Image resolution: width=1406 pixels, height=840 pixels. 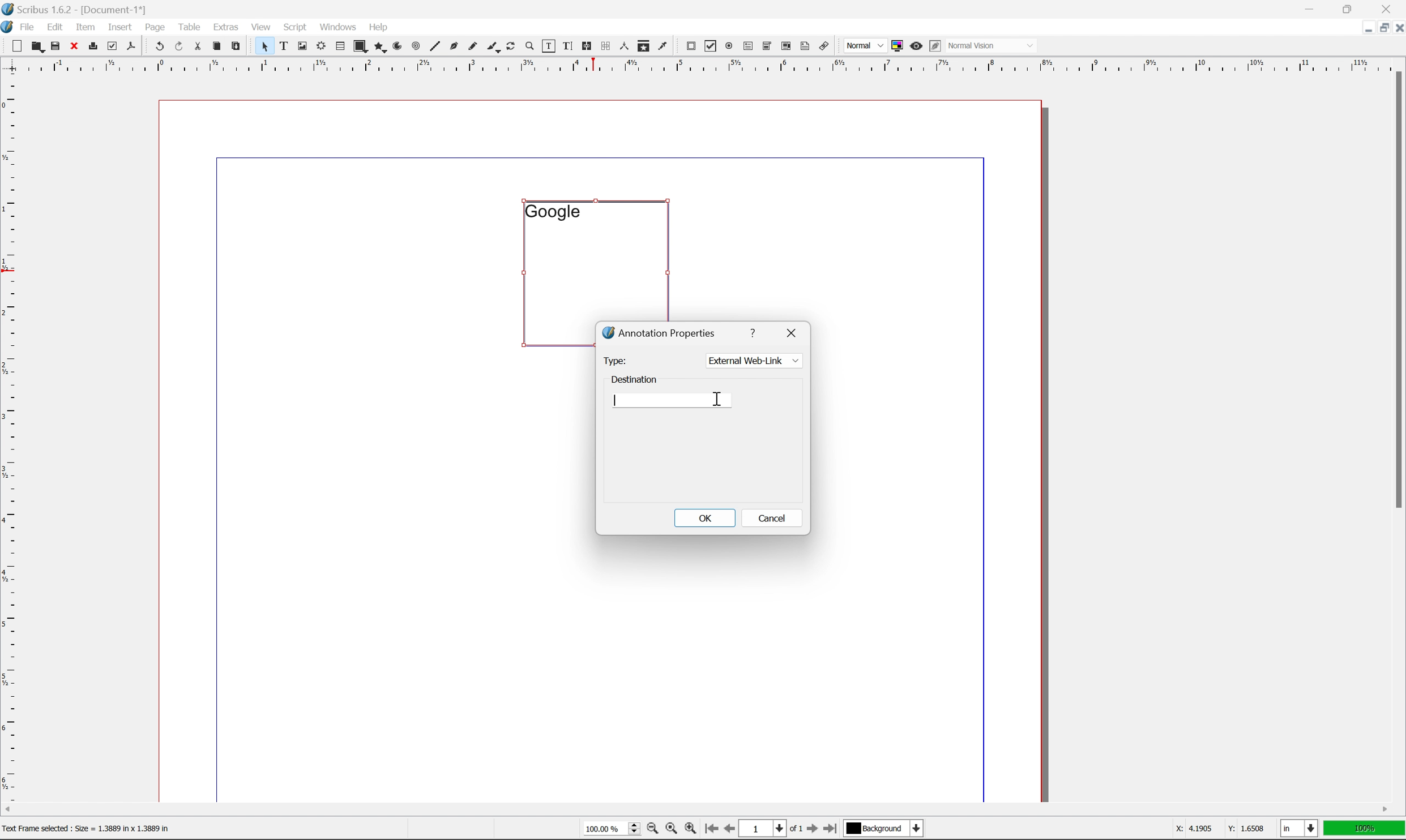 What do you see at coordinates (190, 26) in the screenshot?
I see `table` at bounding box center [190, 26].